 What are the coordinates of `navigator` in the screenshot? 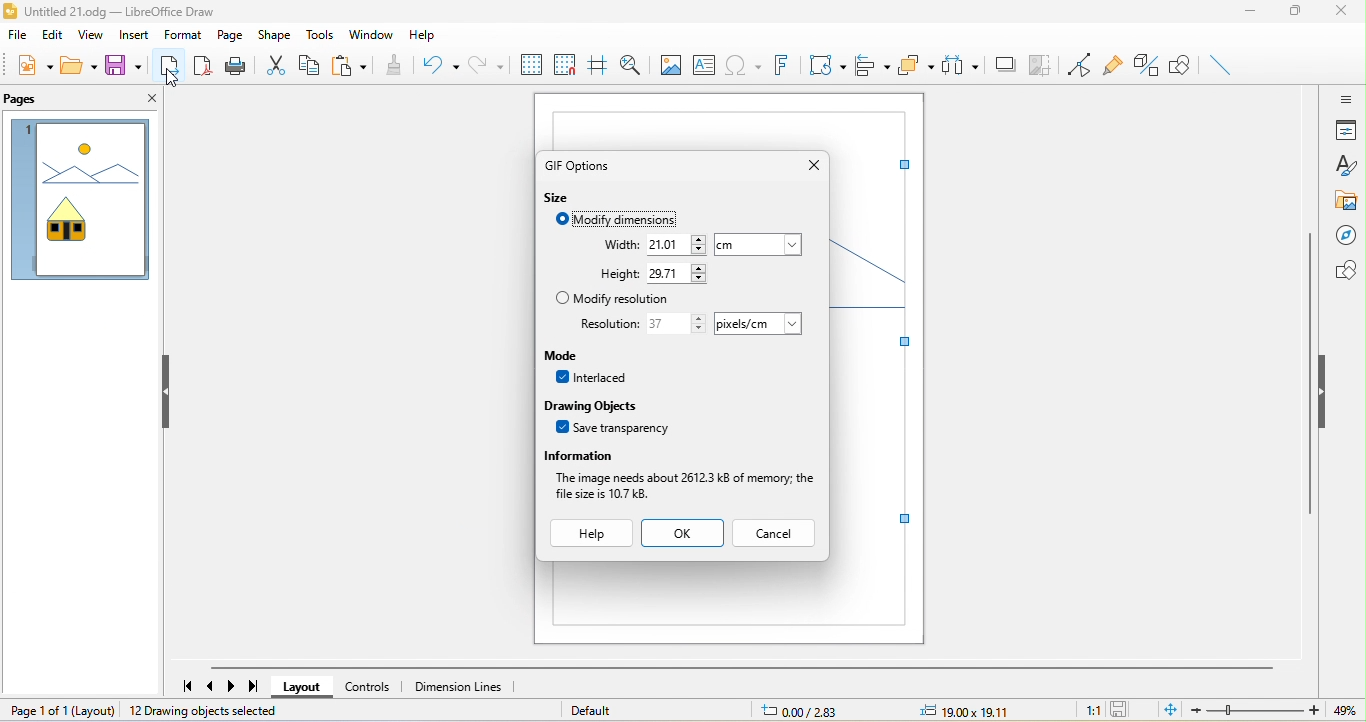 It's located at (1344, 237).